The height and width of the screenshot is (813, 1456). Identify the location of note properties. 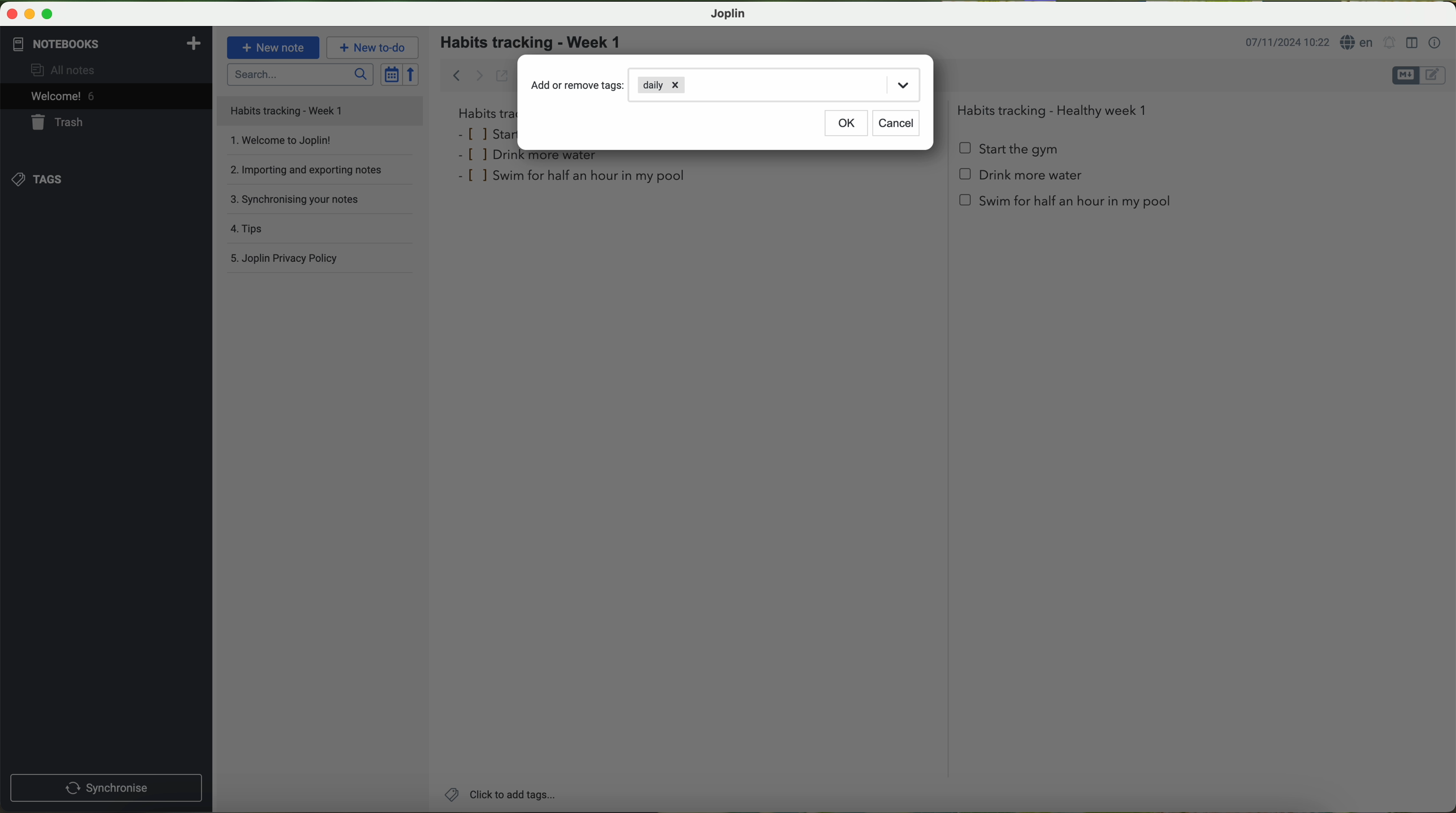
(1436, 44).